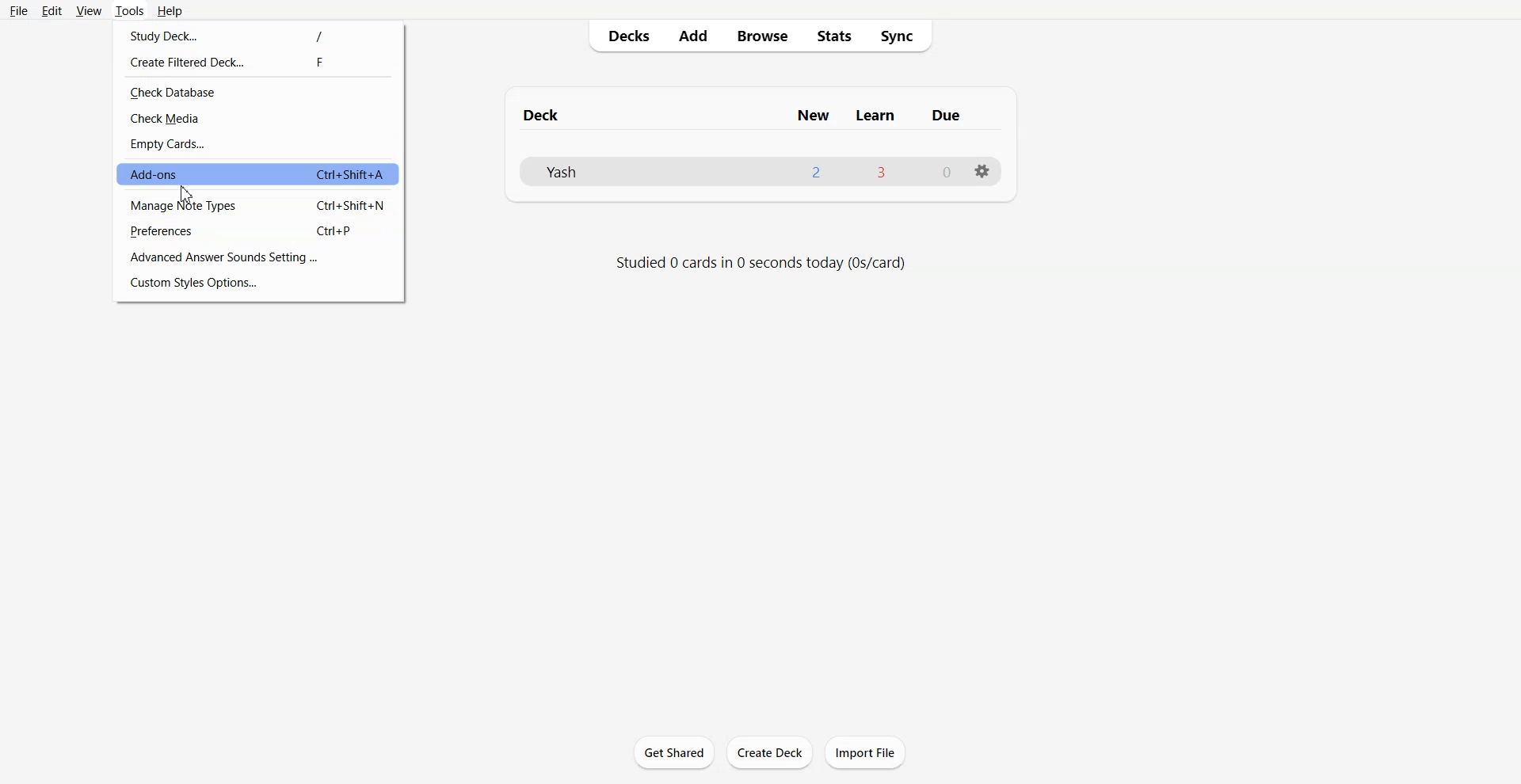  What do you see at coordinates (259, 173) in the screenshot?
I see `Add-ons` at bounding box center [259, 173].